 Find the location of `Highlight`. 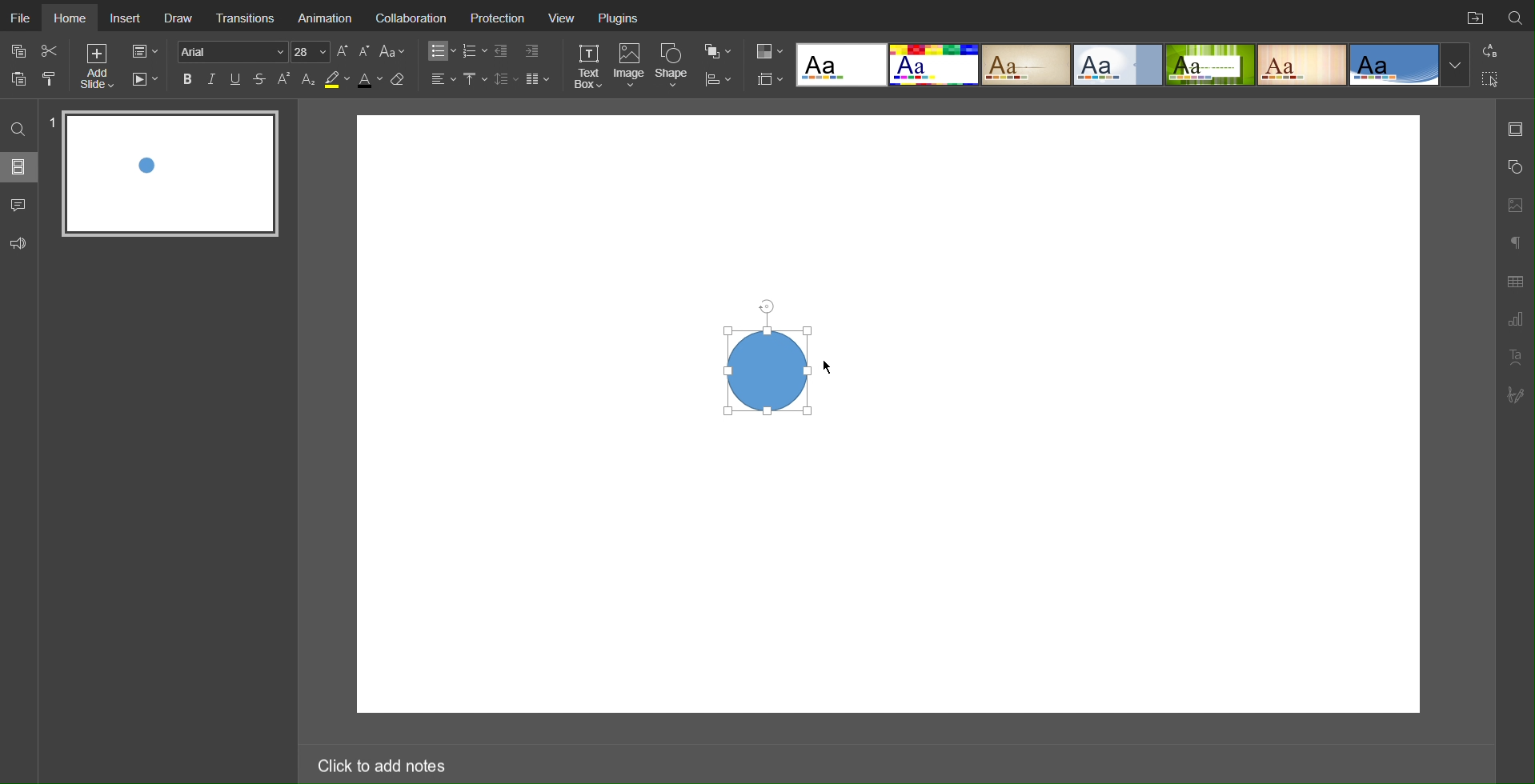

Highlight is located at coordinates (336, 80).